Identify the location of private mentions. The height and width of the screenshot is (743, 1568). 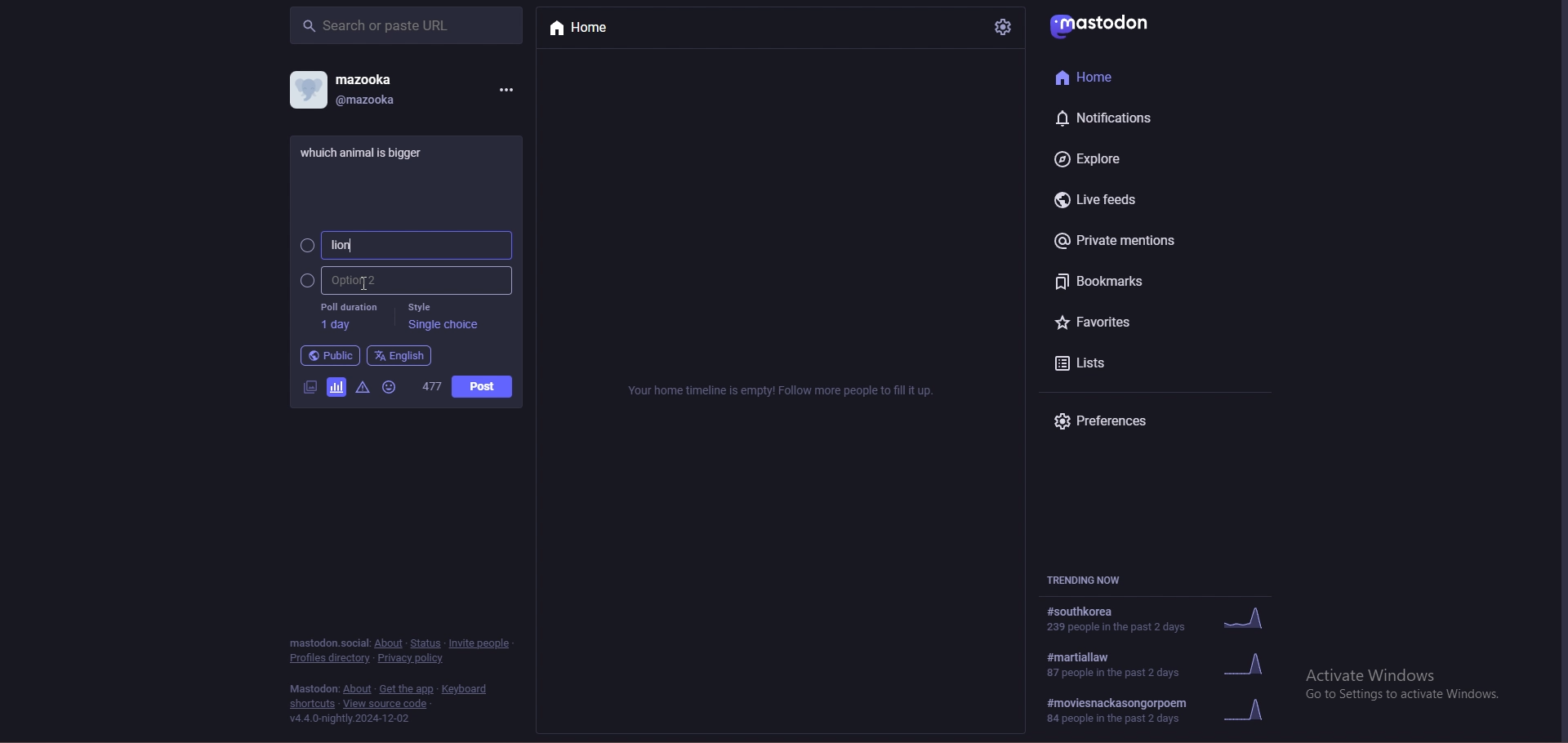
(1128, 240).